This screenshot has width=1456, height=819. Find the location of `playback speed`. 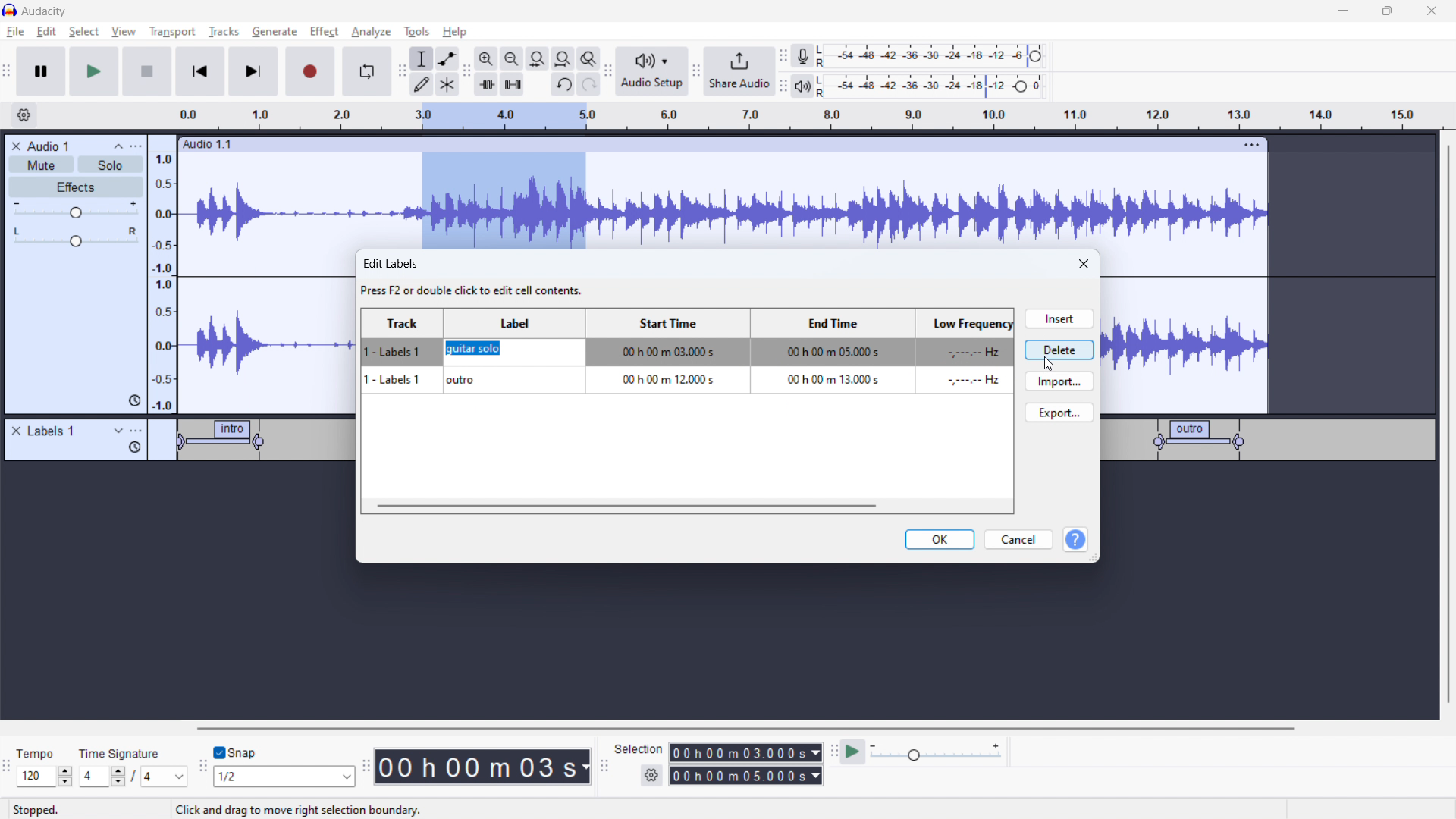

playback speed is located at coordinates (935, 752).